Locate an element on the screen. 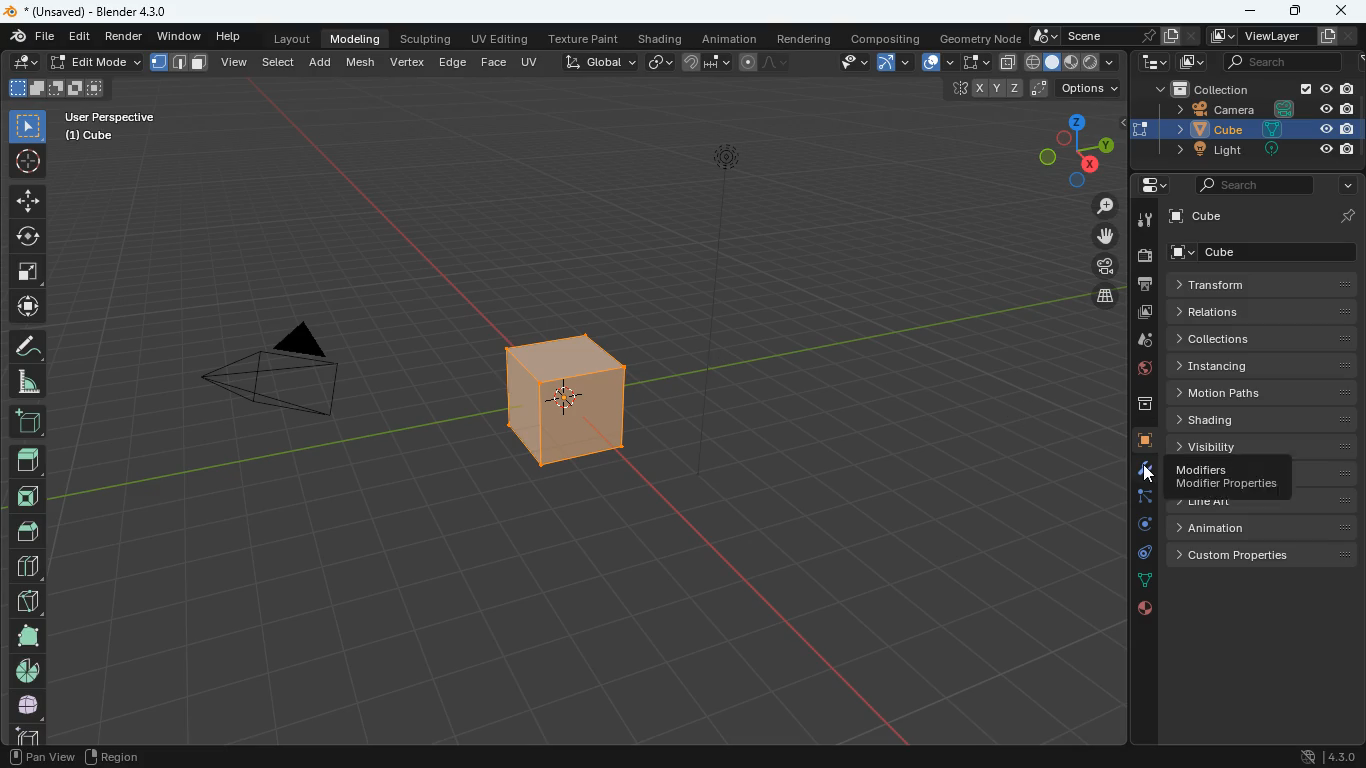  blender is located at coordinates (89, 11).